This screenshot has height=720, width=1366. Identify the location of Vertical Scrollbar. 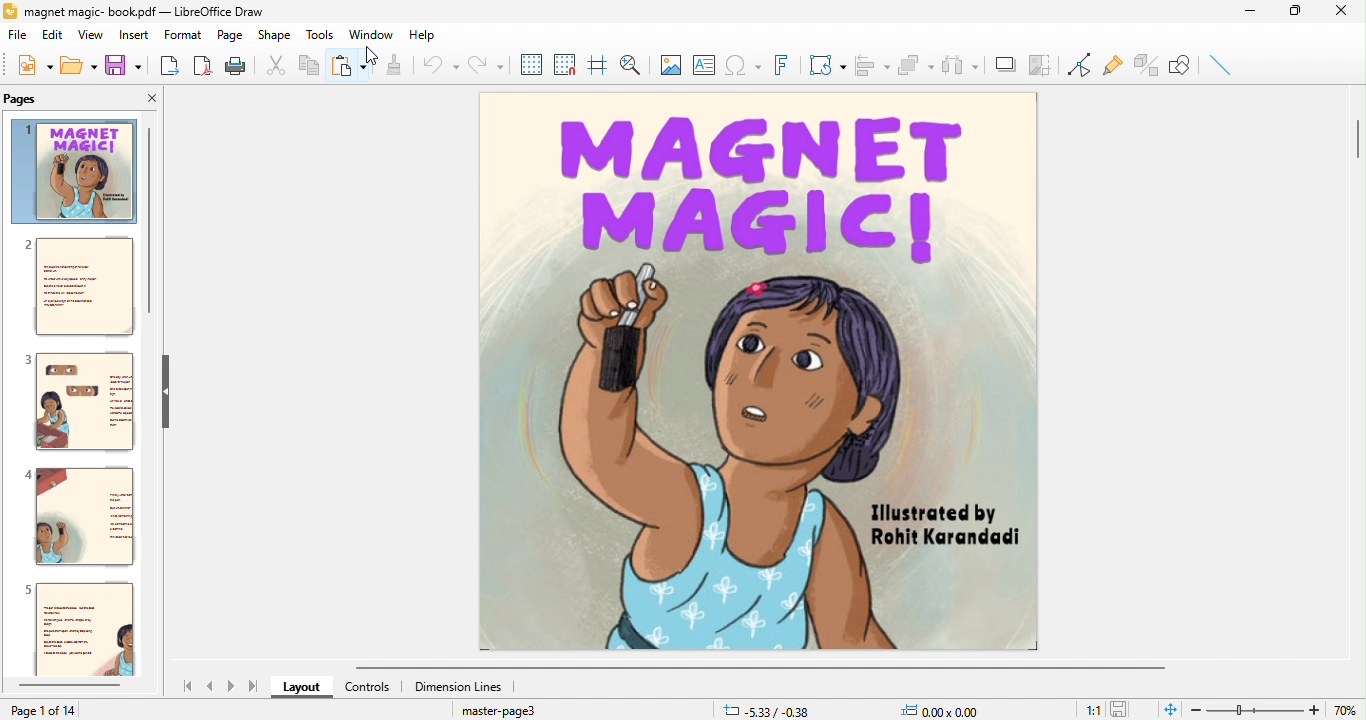
(1353, 148).